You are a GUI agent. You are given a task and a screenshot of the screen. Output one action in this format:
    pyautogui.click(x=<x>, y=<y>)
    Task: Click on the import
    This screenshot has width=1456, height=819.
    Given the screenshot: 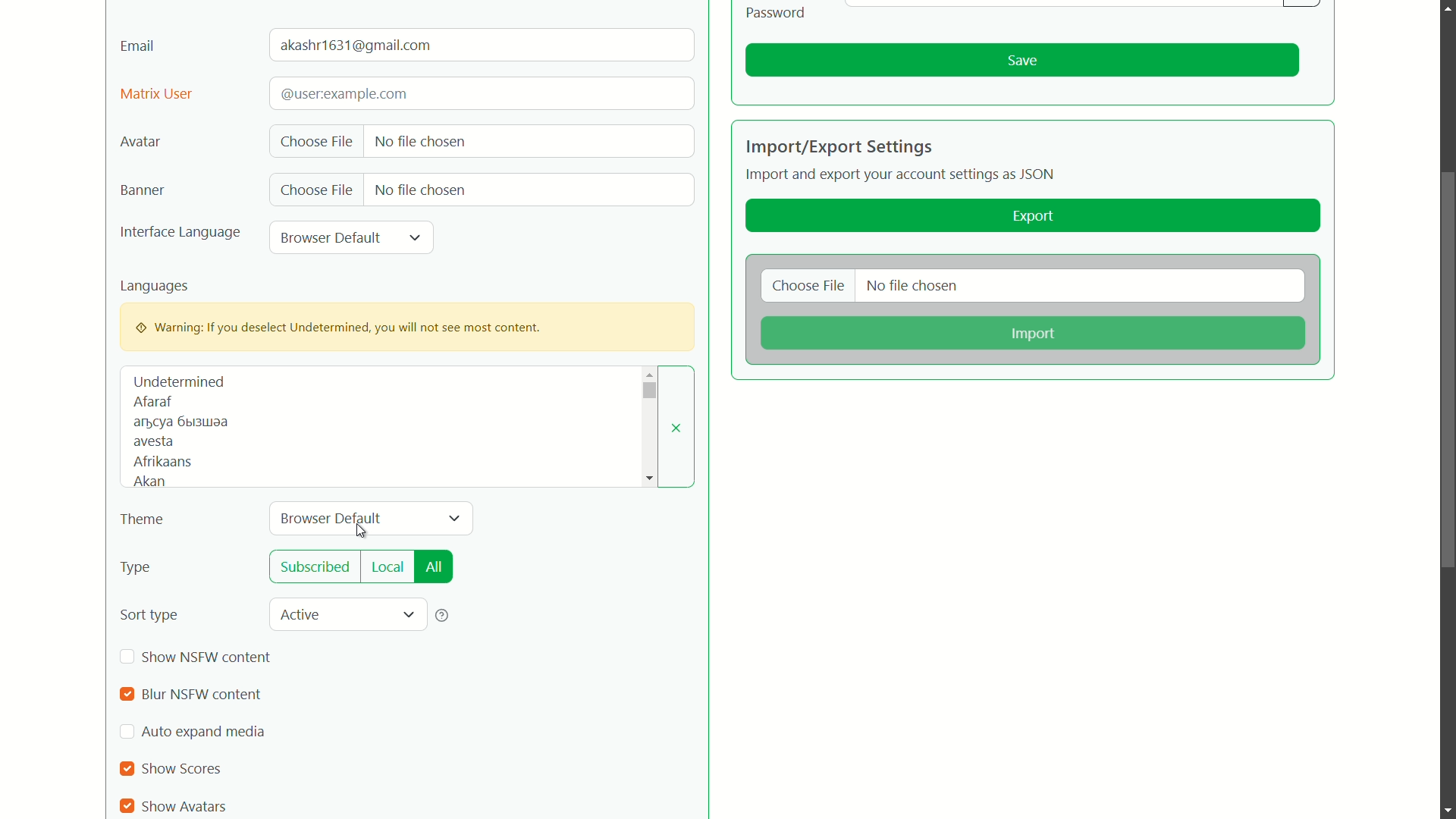 What is the action you would take?
    pyautogui.click(x=1031, y=334)
    